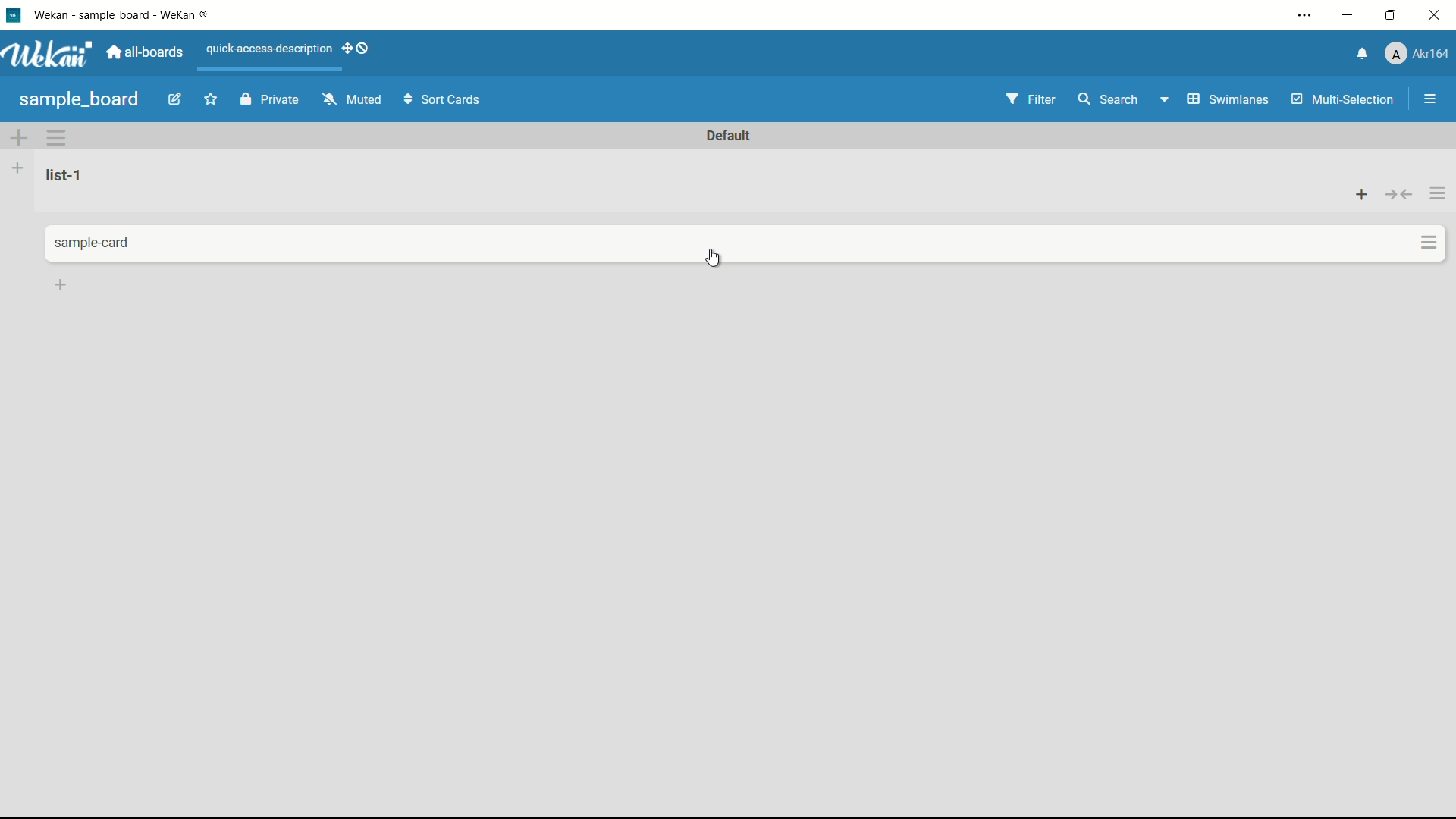  I want to click on add swimlane, so click(17, 137).